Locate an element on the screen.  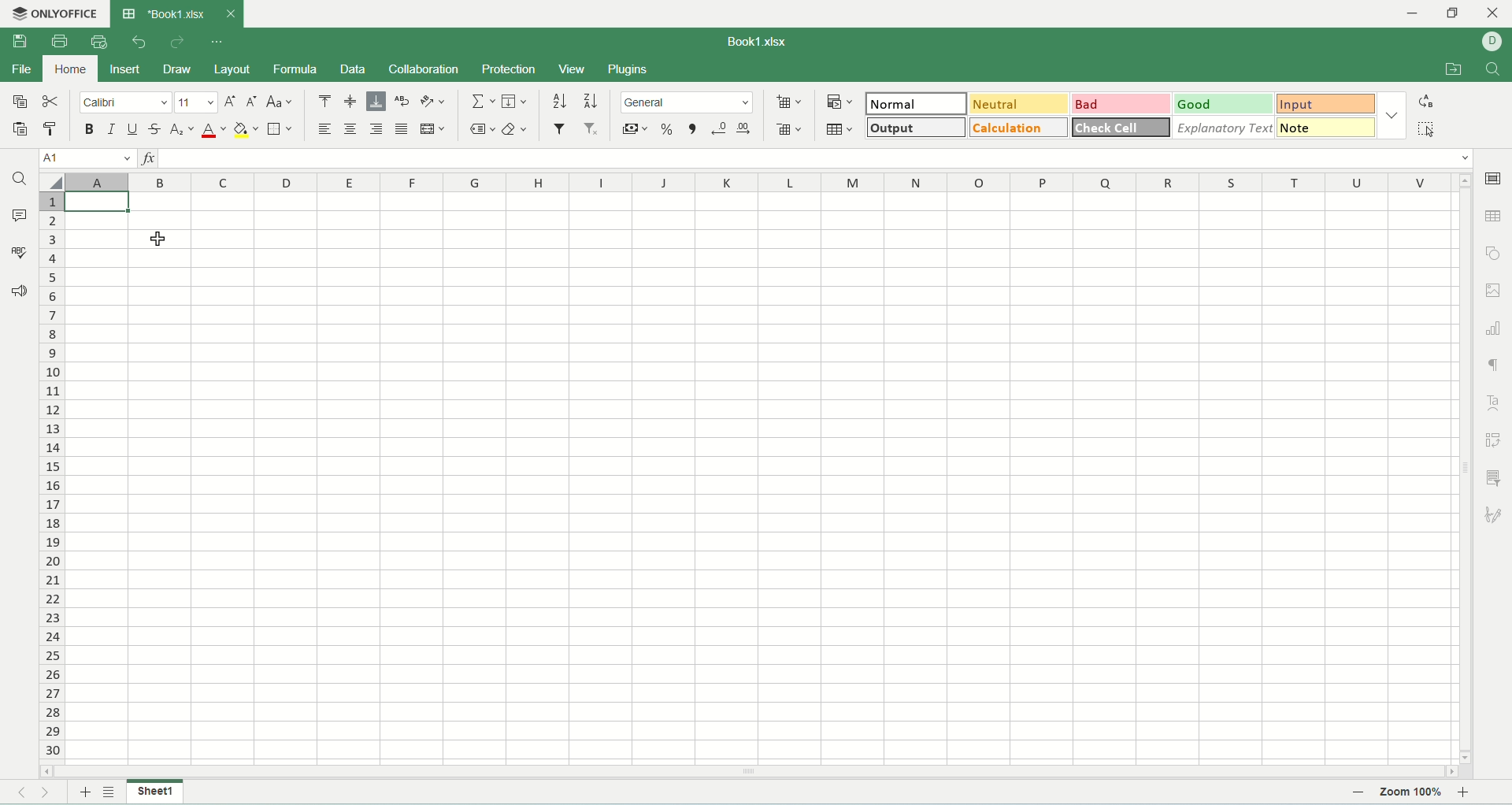
decrease font size is located at coordinates (251, 102).